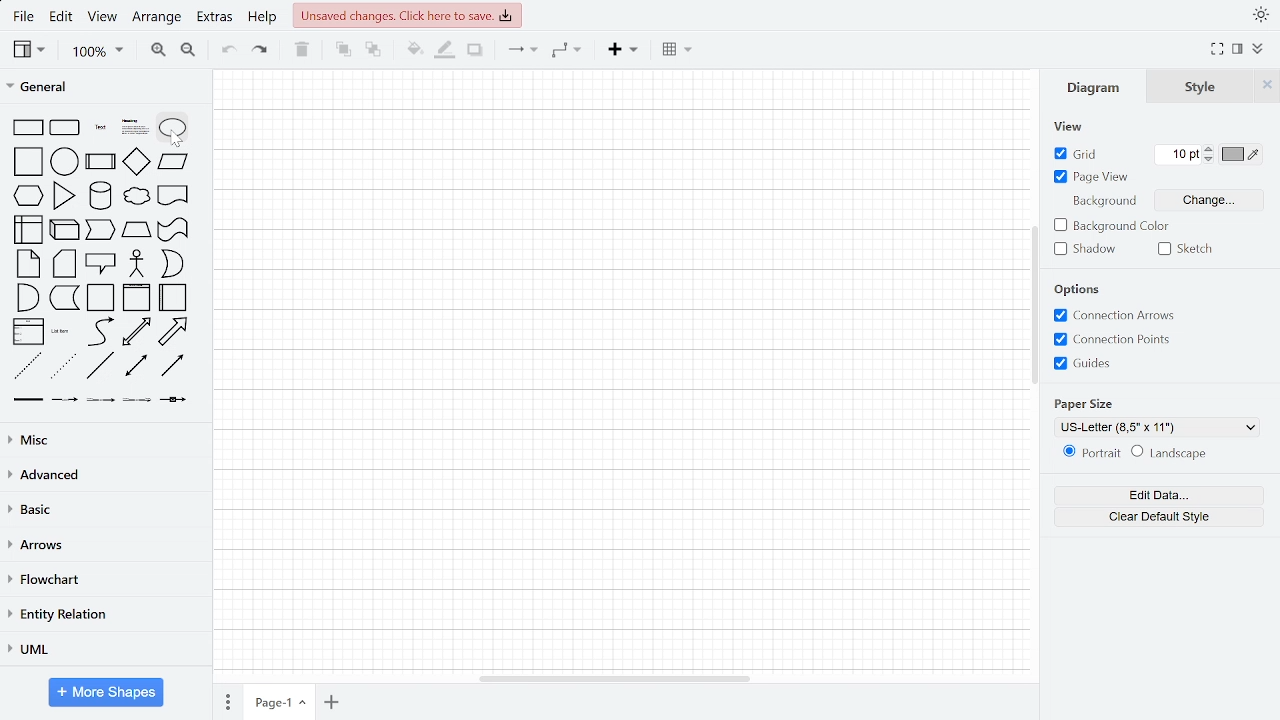 This screenshot has width=1280, height=720. What do you see at coordinates (99, 580) in the screenshot?
I see `flowchart` at bounding box center [99, 580].